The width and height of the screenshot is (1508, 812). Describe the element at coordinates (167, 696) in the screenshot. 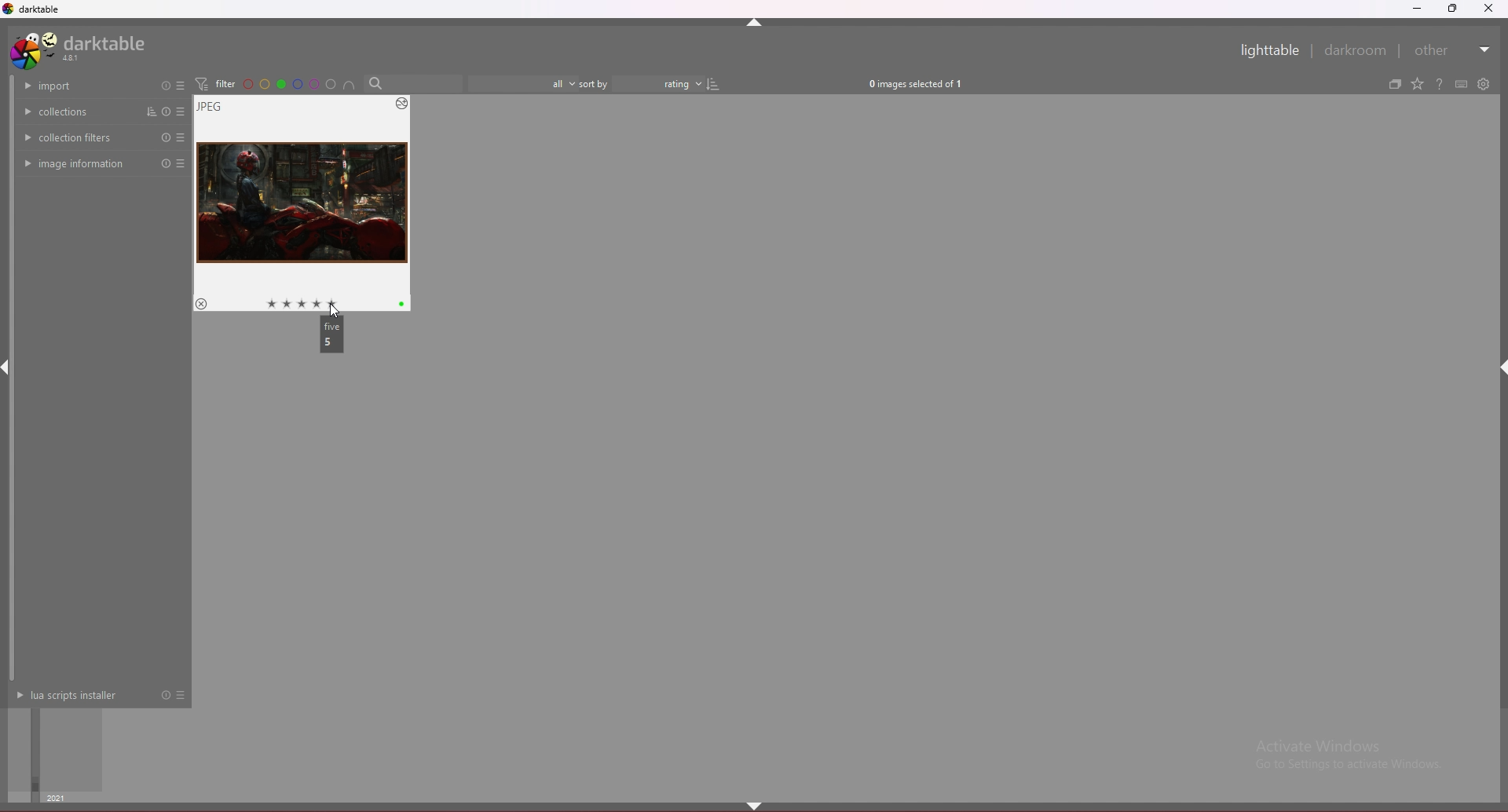

I see `reset` at that location.